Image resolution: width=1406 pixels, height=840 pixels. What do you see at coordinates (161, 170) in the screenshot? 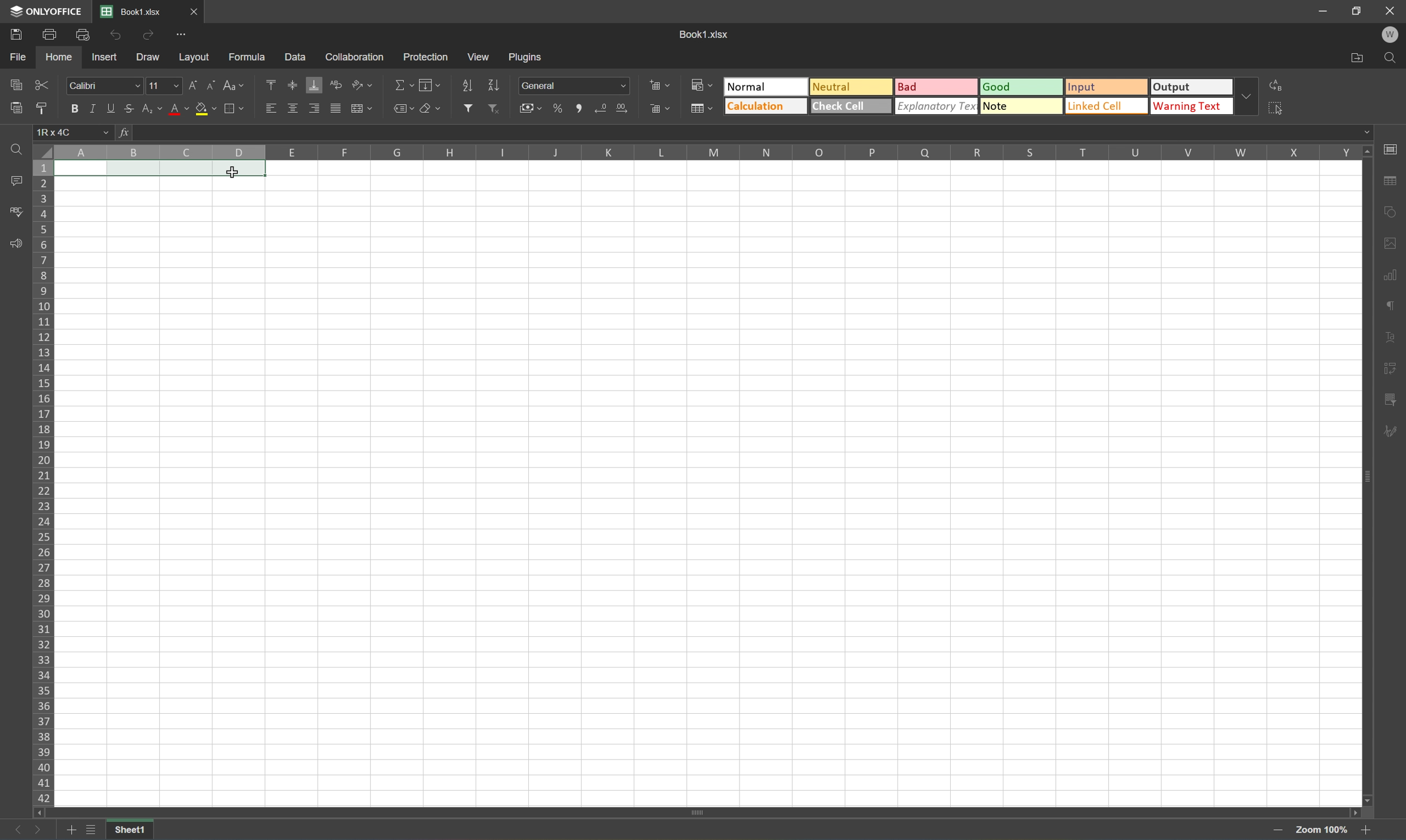
I see `CELLS A1 TO D1` at bounding box center [161, 170].